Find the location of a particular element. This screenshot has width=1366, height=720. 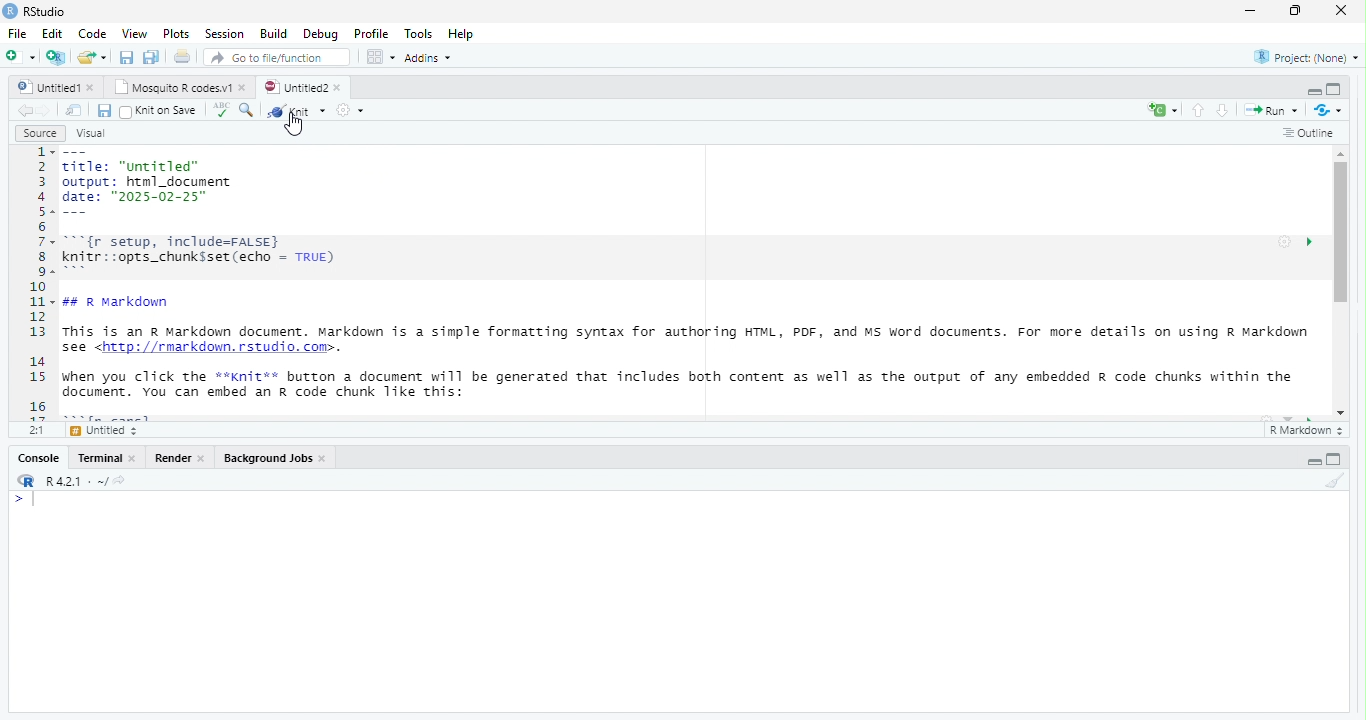

search in doc is located at coordinates (75, 110).